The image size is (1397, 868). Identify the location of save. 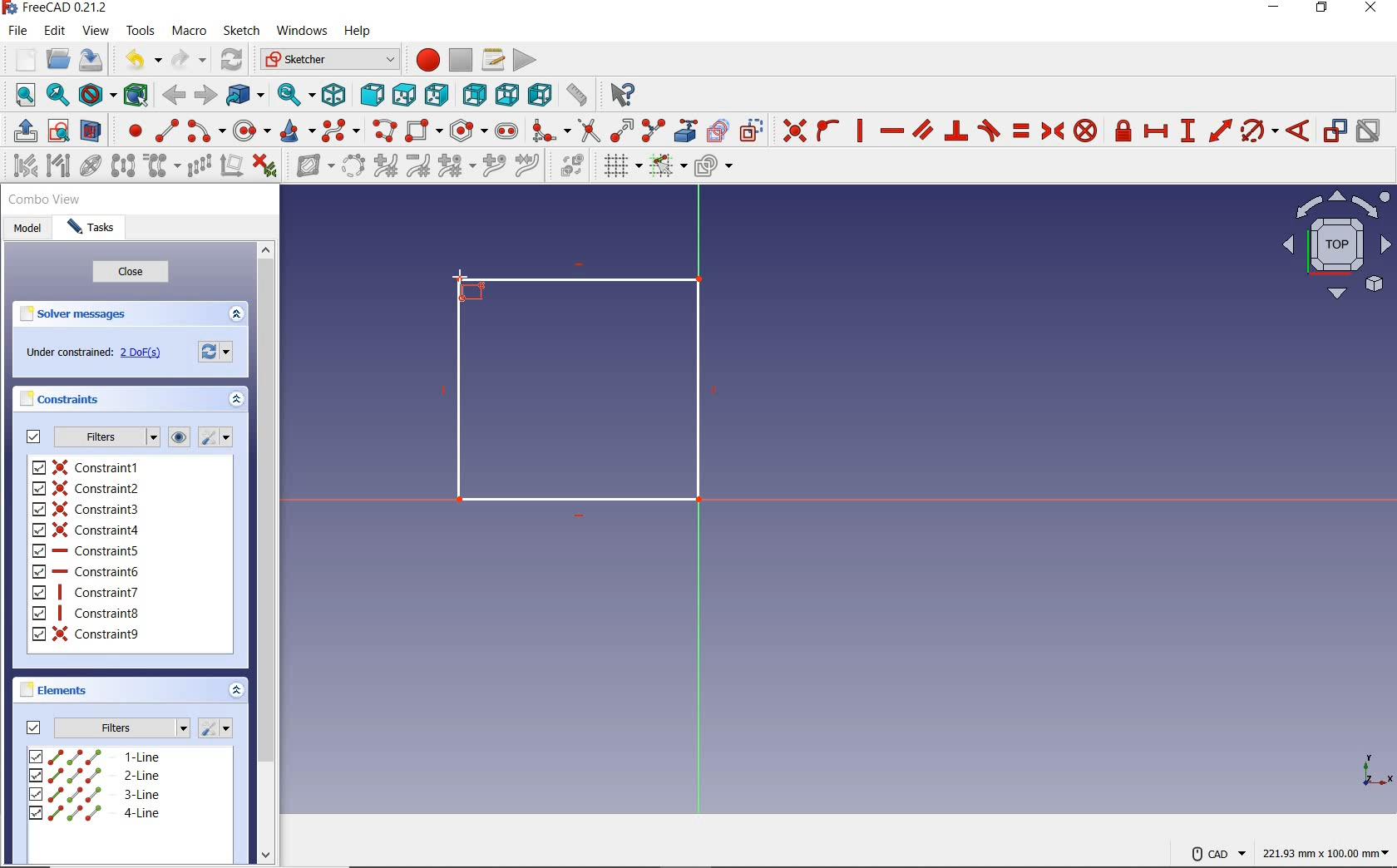
(91, 59).